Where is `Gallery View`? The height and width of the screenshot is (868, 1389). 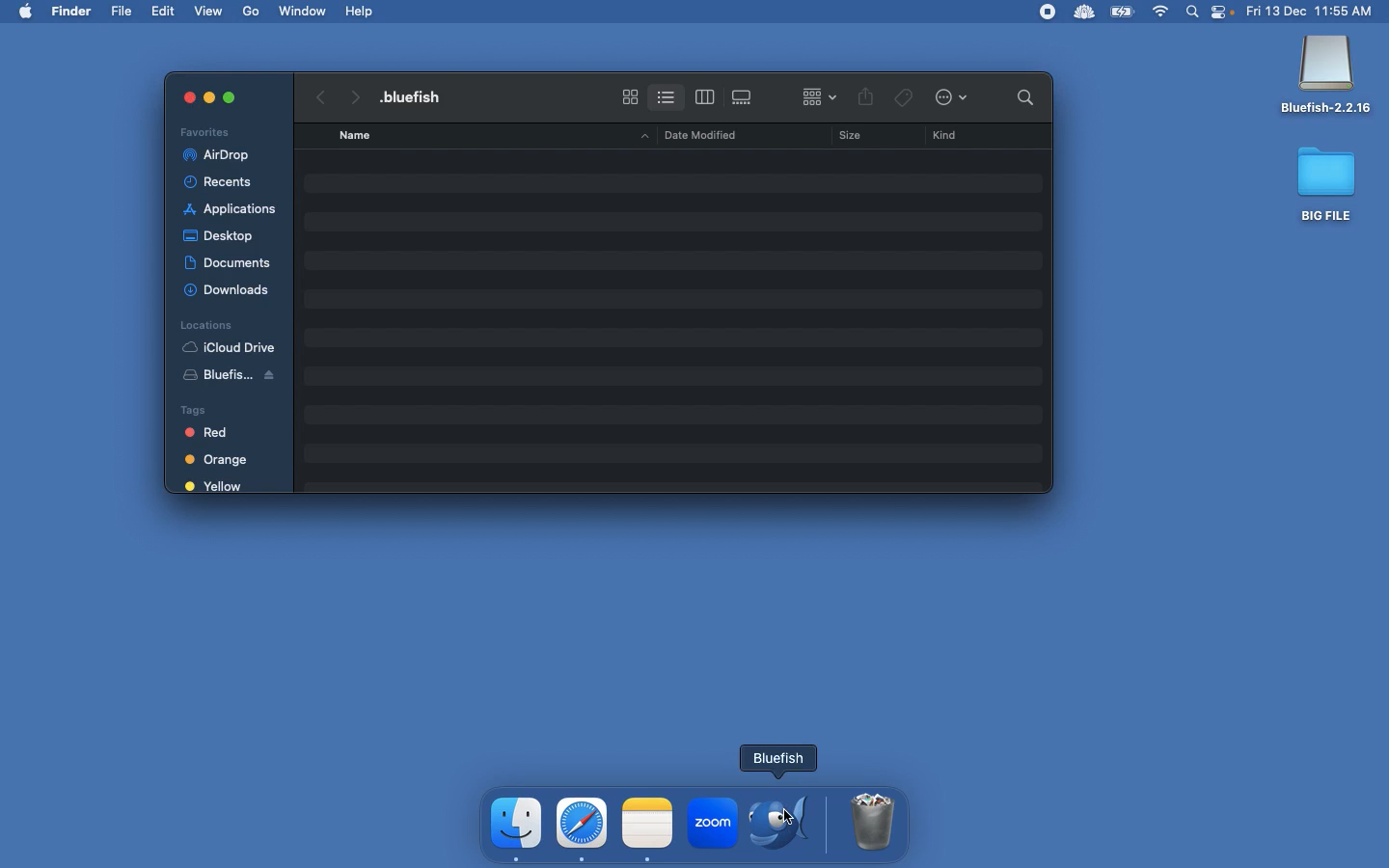 Gallery View is located at coordinates (744, 94).